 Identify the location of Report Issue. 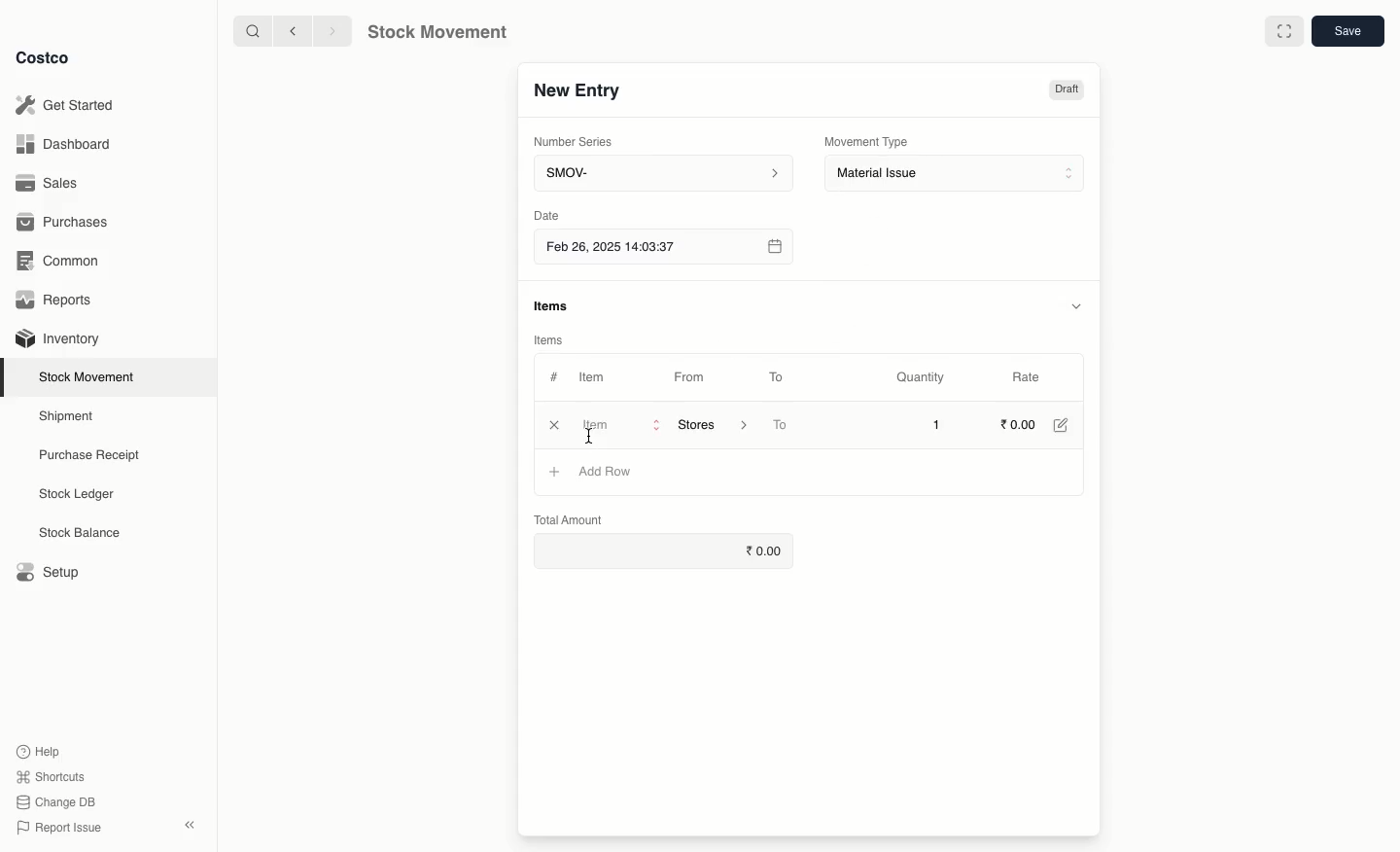
(61, 828).